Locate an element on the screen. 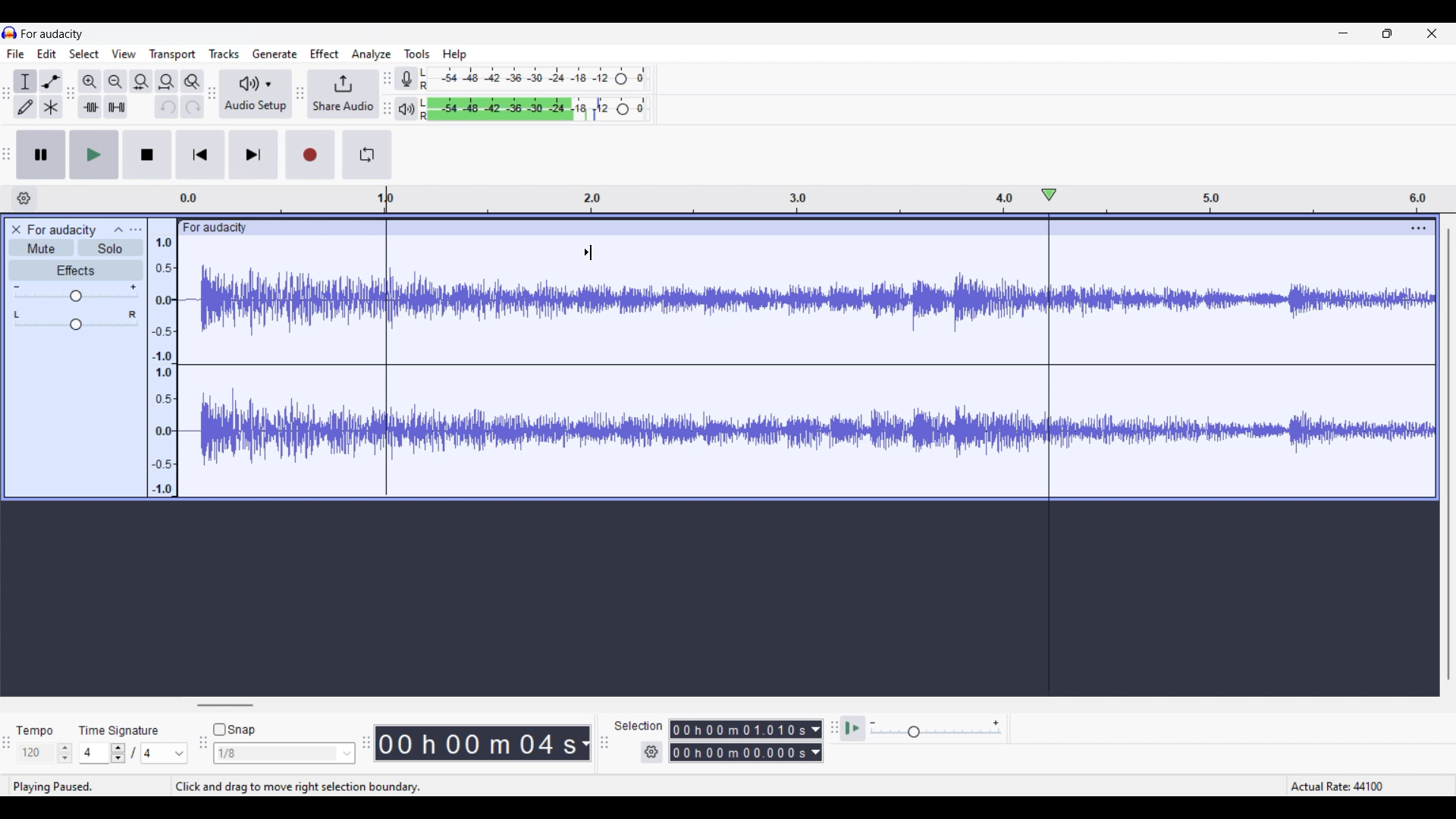  time signature  is located at coordinates (119, 730).